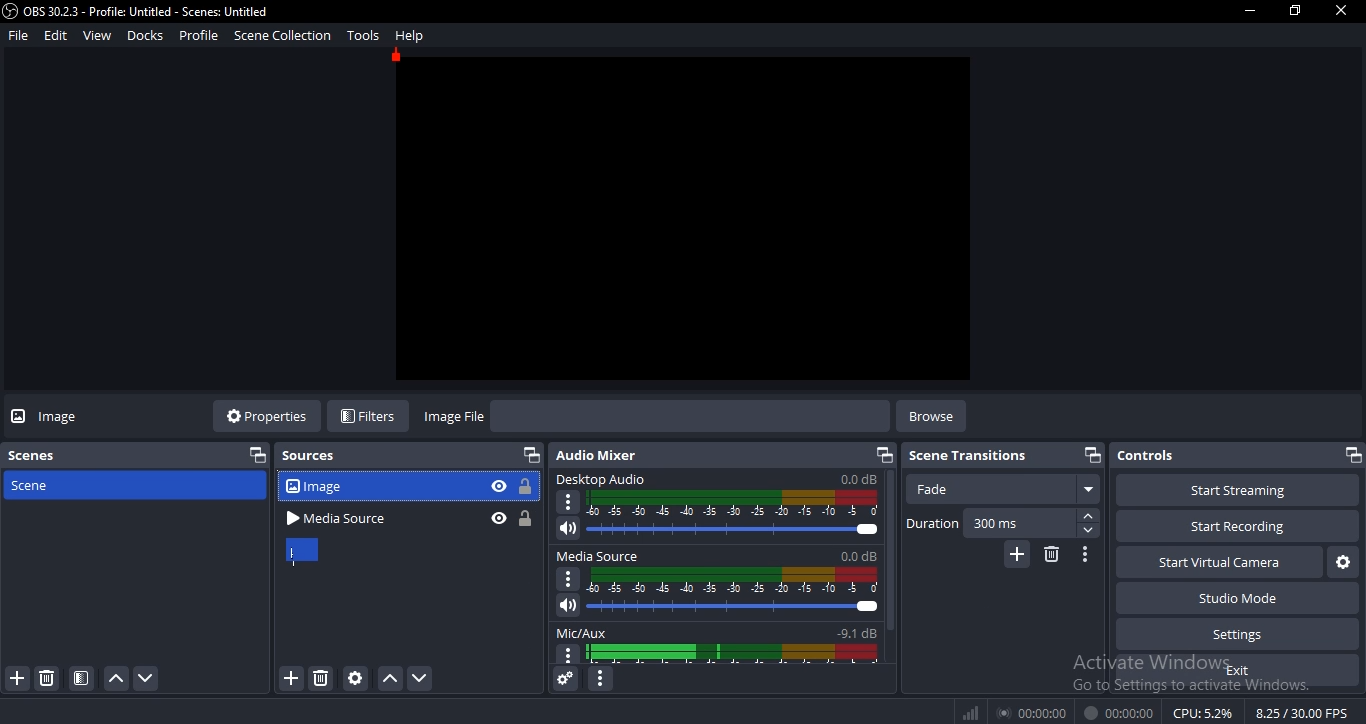 This screenshot has height=724, width=1366. I want to click on delete scene transition, so click(1049, 555).